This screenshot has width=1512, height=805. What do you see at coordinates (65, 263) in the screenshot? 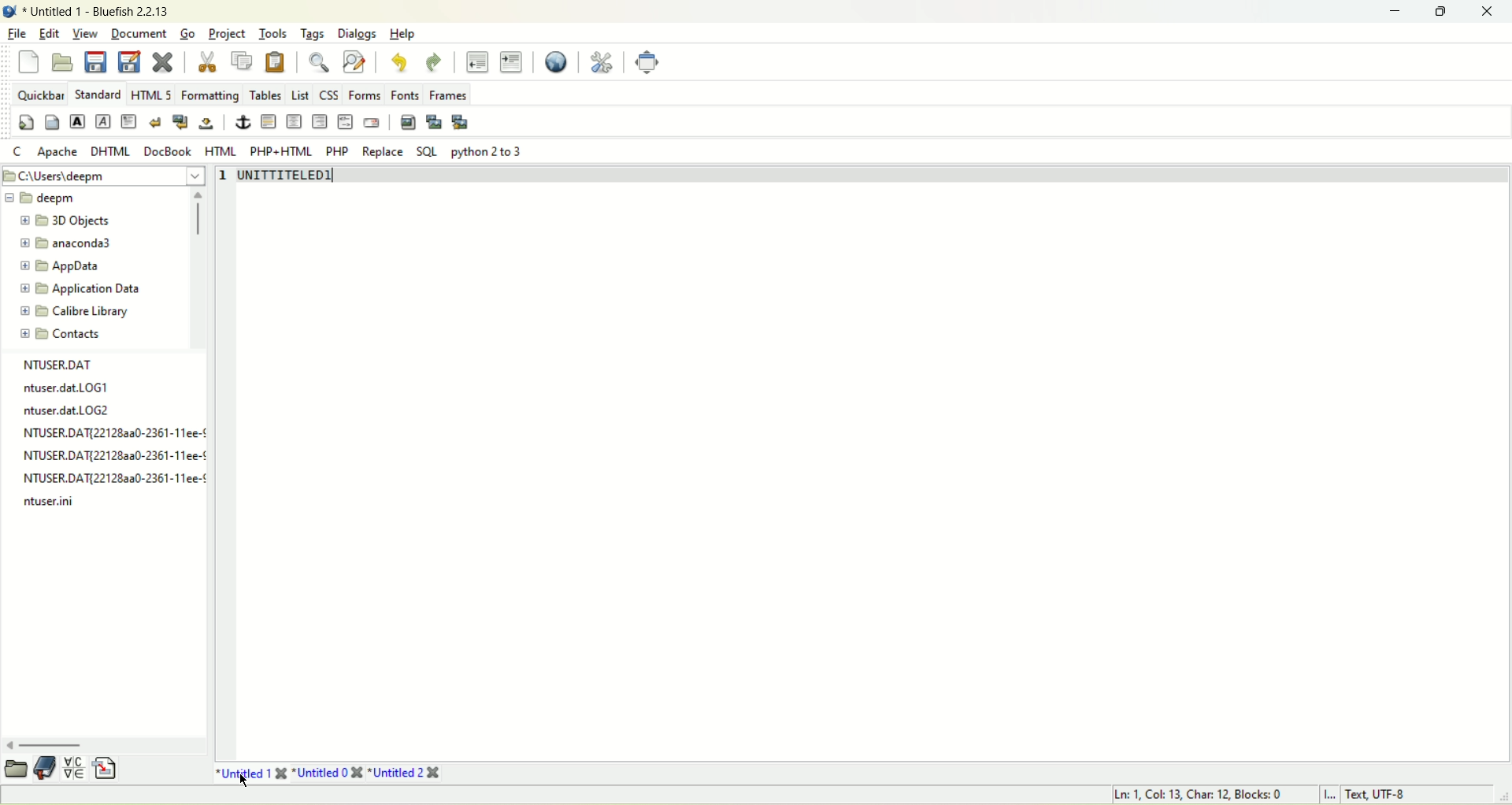
I see `appdata` at bounding box center [65, 263].